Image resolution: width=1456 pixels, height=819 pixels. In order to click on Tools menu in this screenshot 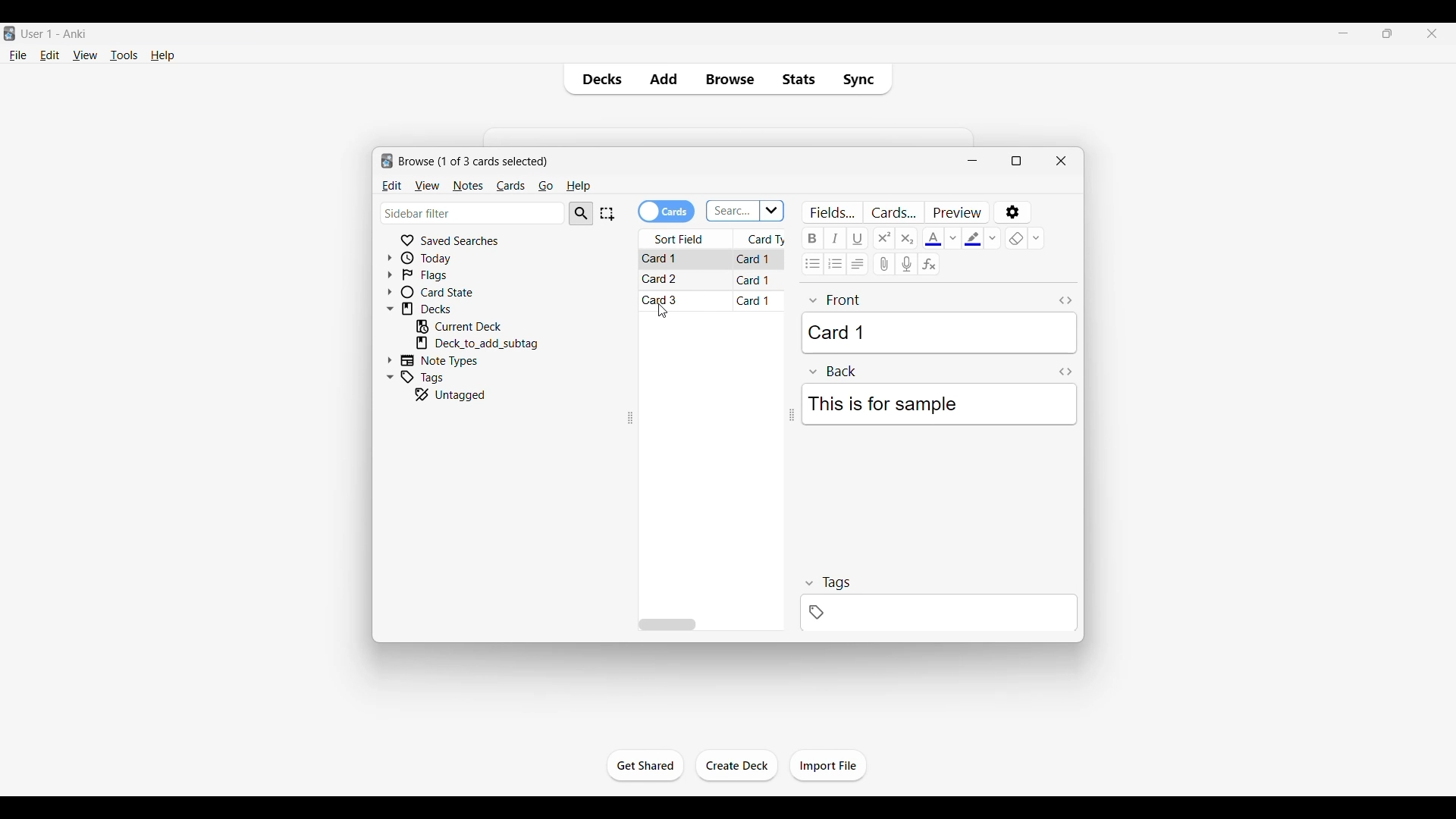, I will do `click(124, 55)`.